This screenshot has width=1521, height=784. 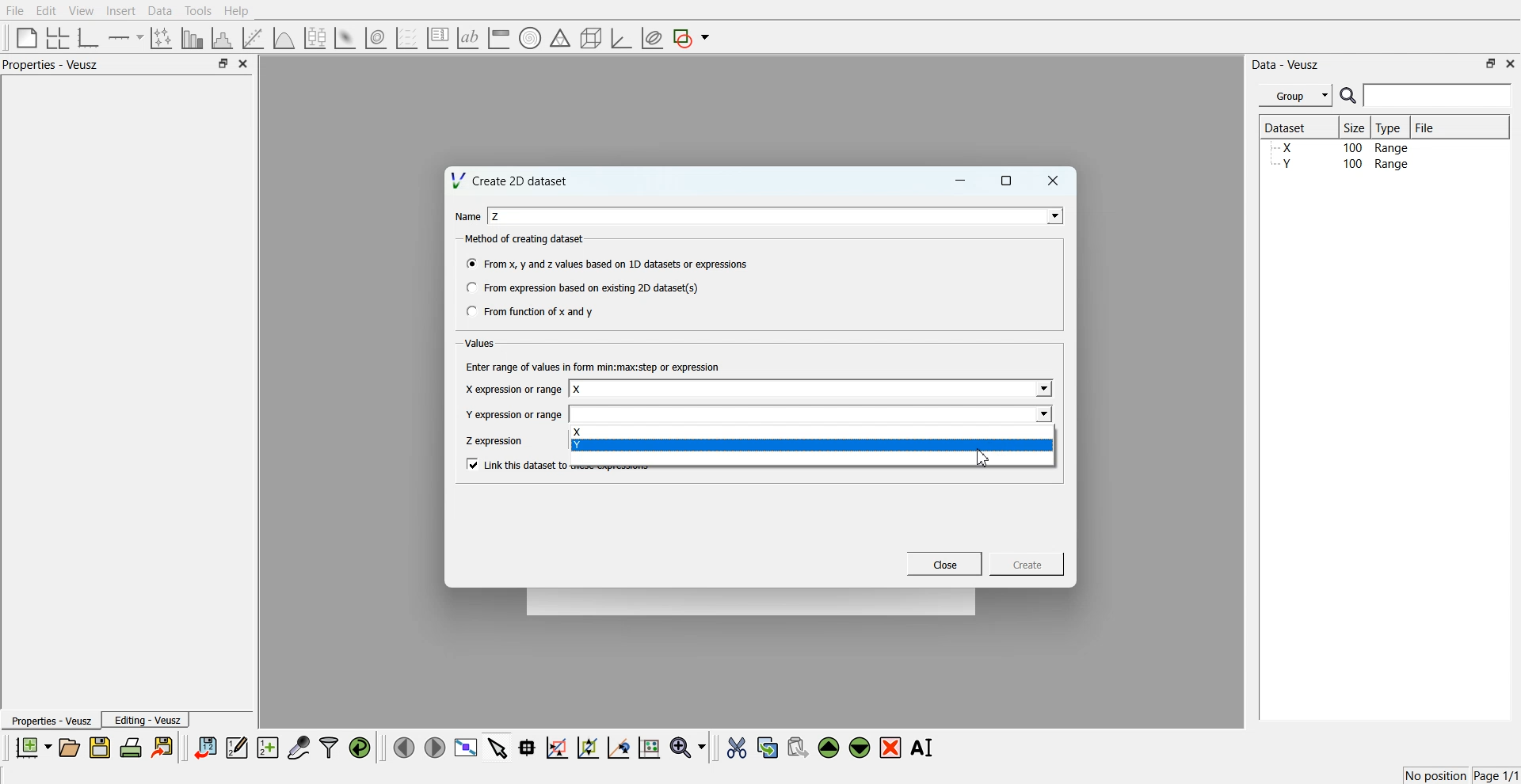 I want to click on Fit a function of data, so click(x=252, y=38).